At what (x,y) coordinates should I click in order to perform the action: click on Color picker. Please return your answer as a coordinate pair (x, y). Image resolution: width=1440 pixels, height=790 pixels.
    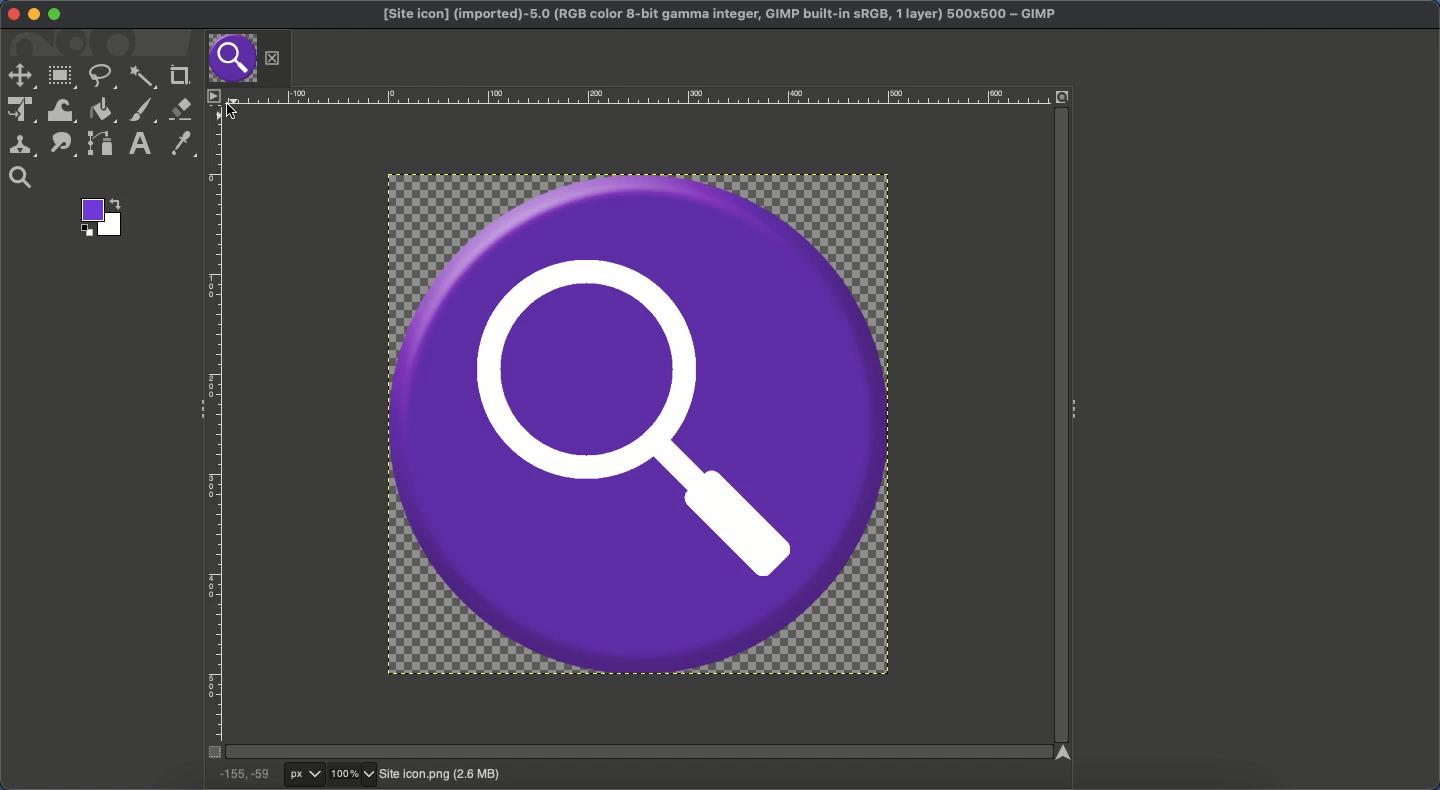
    Looking at the image, I should click on (179, 144).